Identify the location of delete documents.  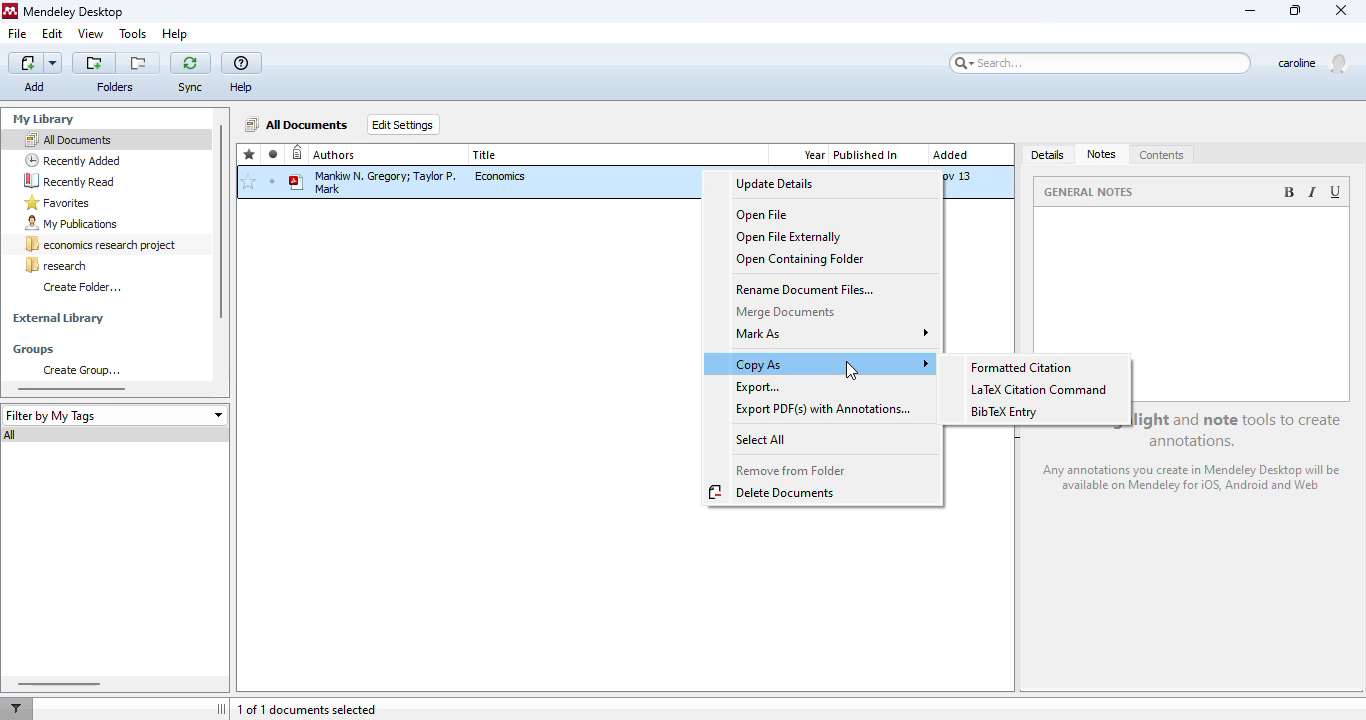
(774, 492).